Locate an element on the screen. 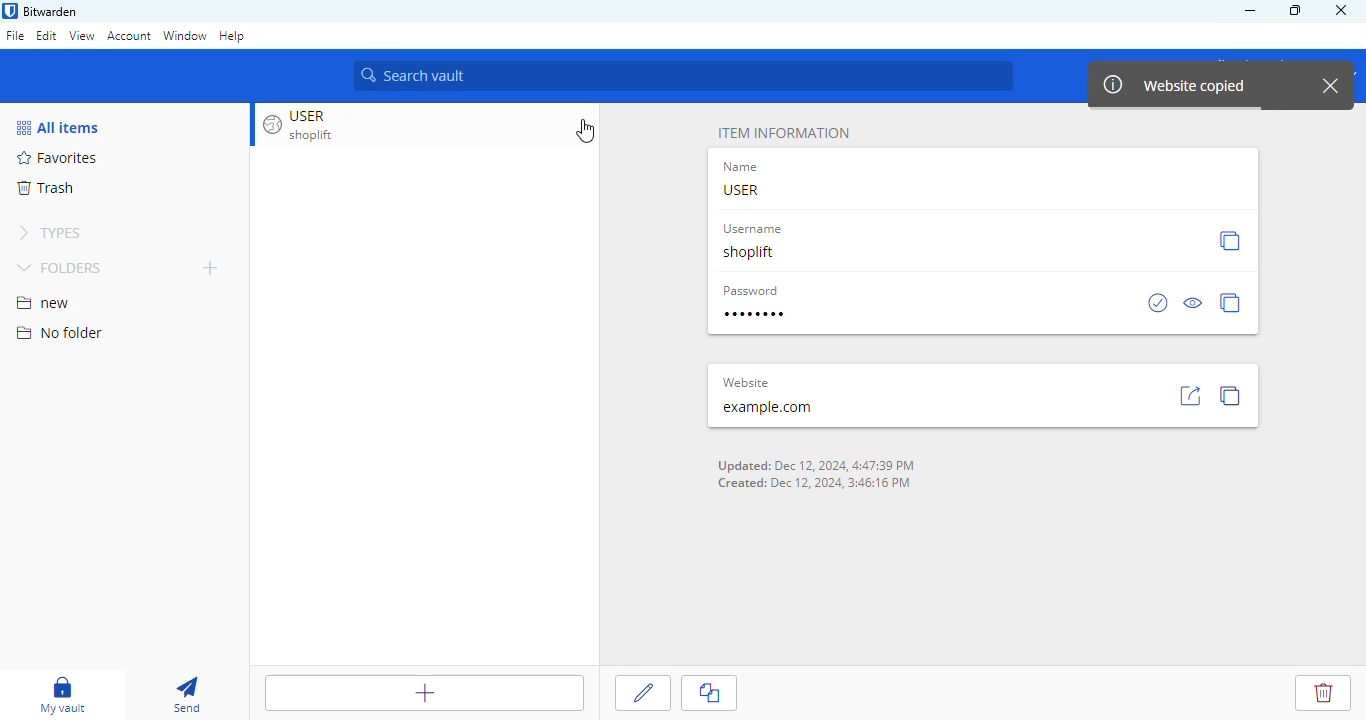 The width and height of the screenshot is (1366, 720). copy username is located at coordinates (1229, 240).